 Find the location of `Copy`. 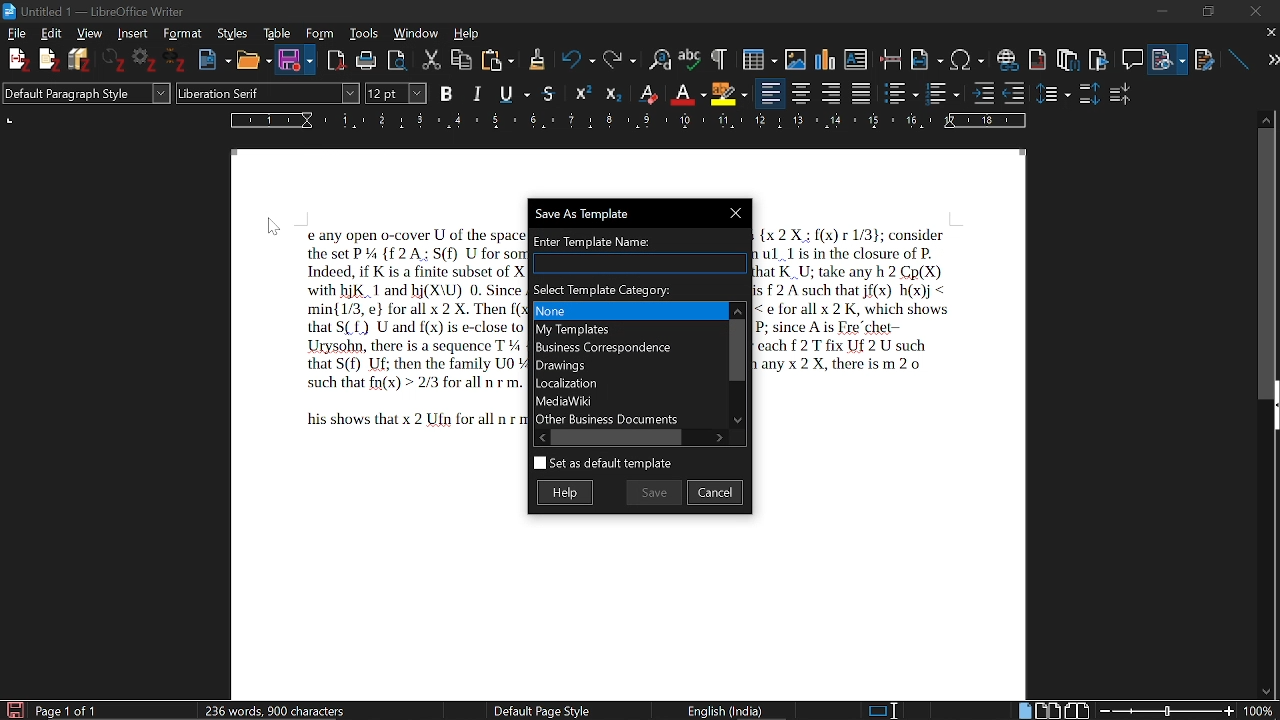

Copy is located at coordinates (463, 58).